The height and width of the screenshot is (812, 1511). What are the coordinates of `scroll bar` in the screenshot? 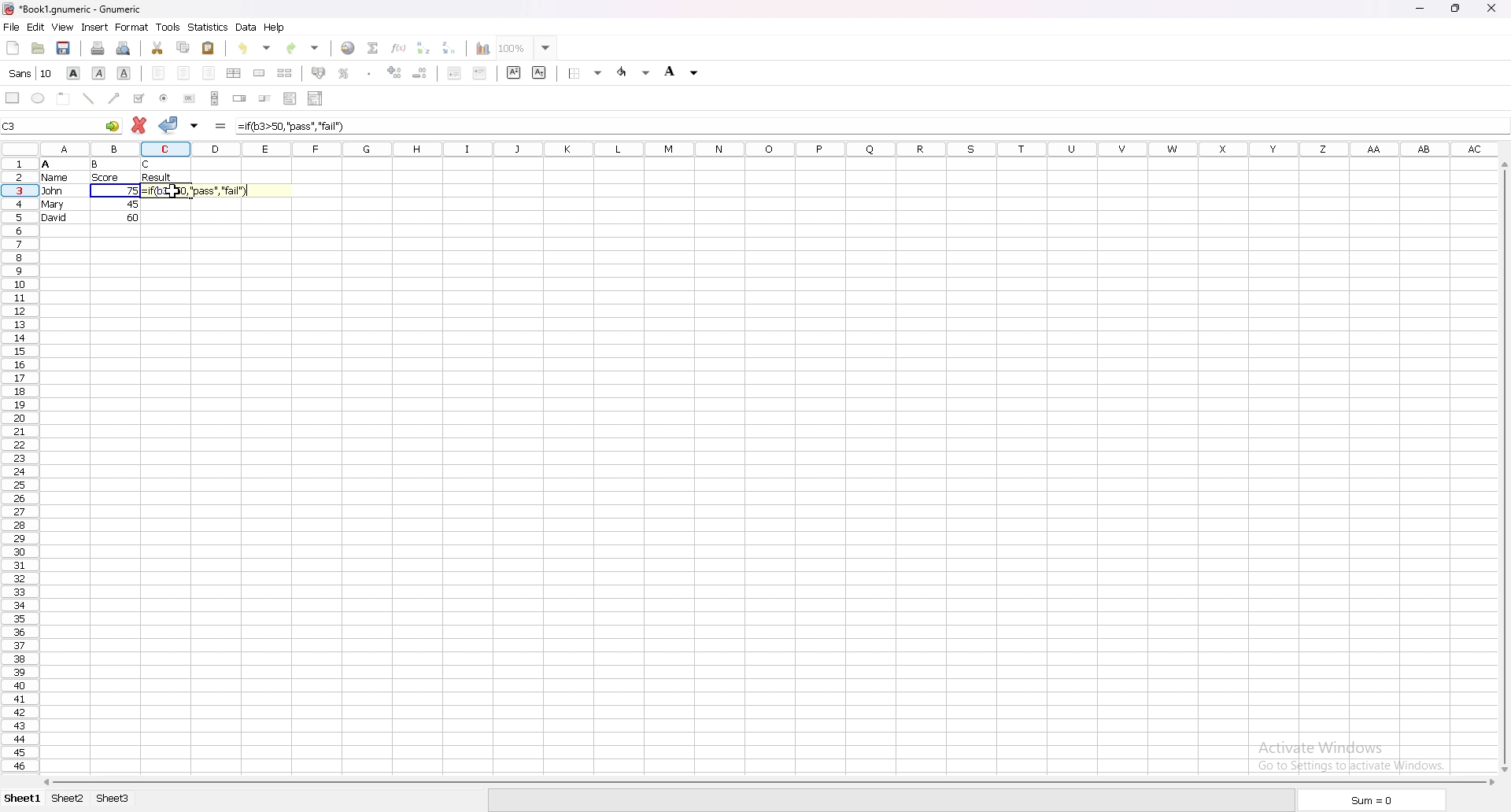 It's located at (1502, 467).